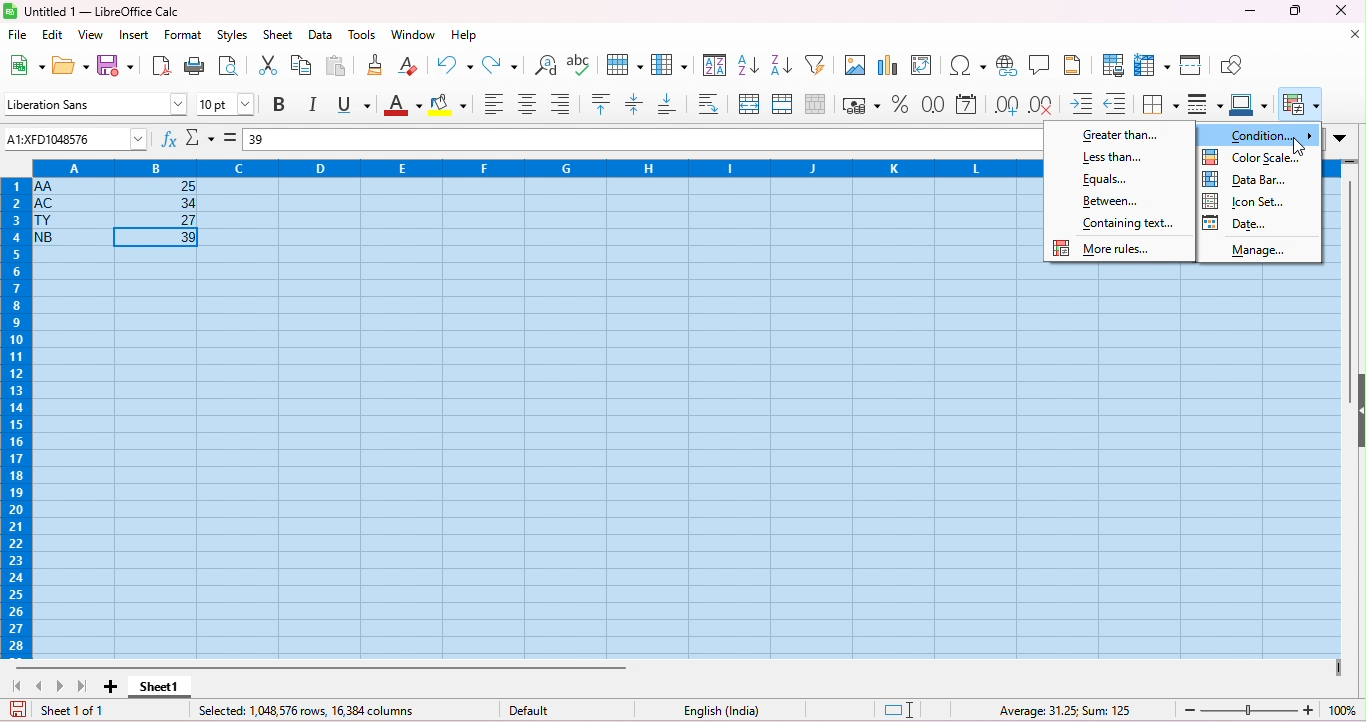 Image resolution: width=1366 pixels, height=722 pixels. Describe the element at coordinates (601, 103) in the screenshot. I see `align top` at that location.